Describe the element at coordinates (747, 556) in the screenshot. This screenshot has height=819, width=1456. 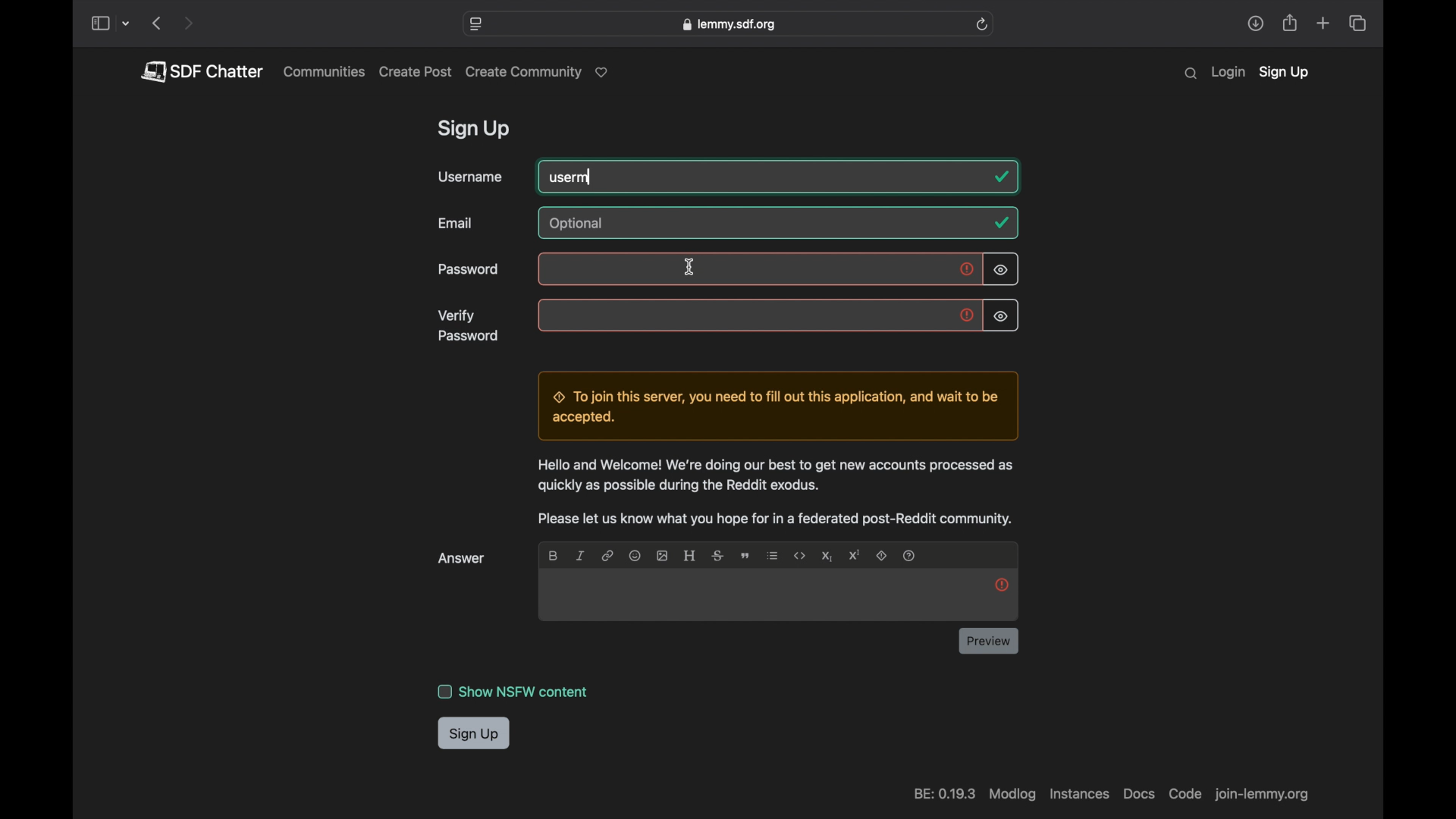
I see `quote` at that location.